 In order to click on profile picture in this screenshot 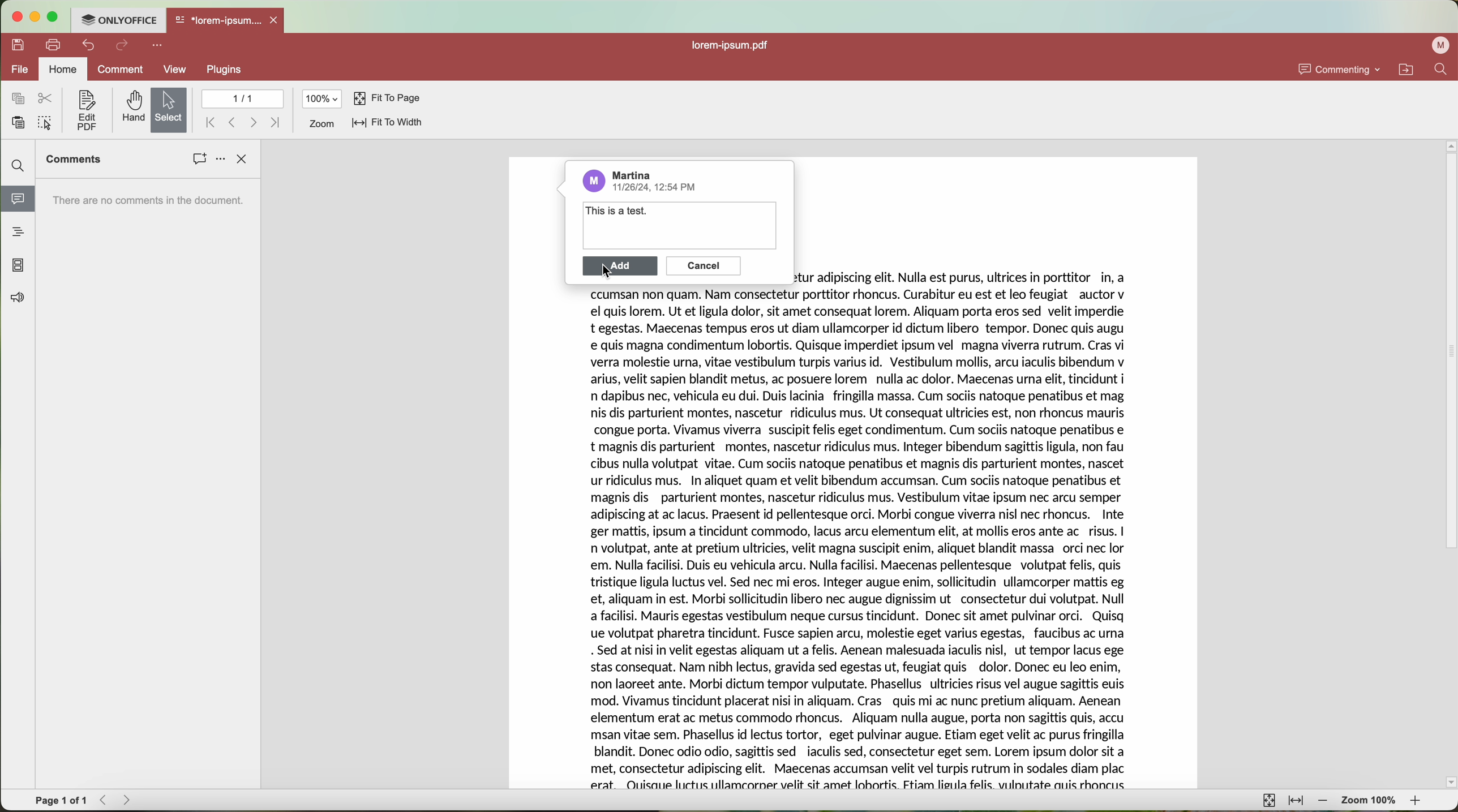, I will do `click(593, 181)`.